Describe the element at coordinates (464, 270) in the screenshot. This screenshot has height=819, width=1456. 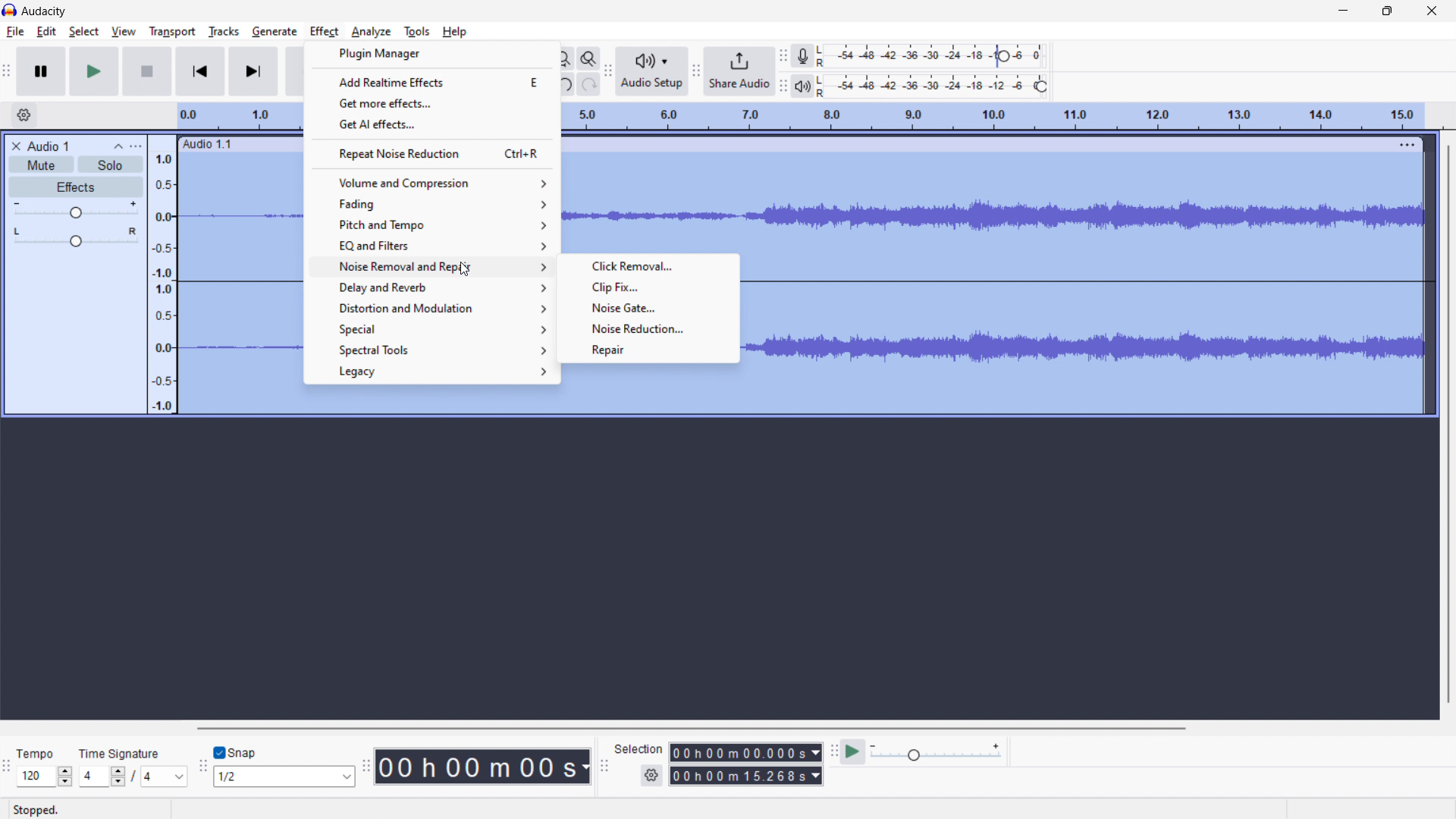
I see `cursor` at that location.